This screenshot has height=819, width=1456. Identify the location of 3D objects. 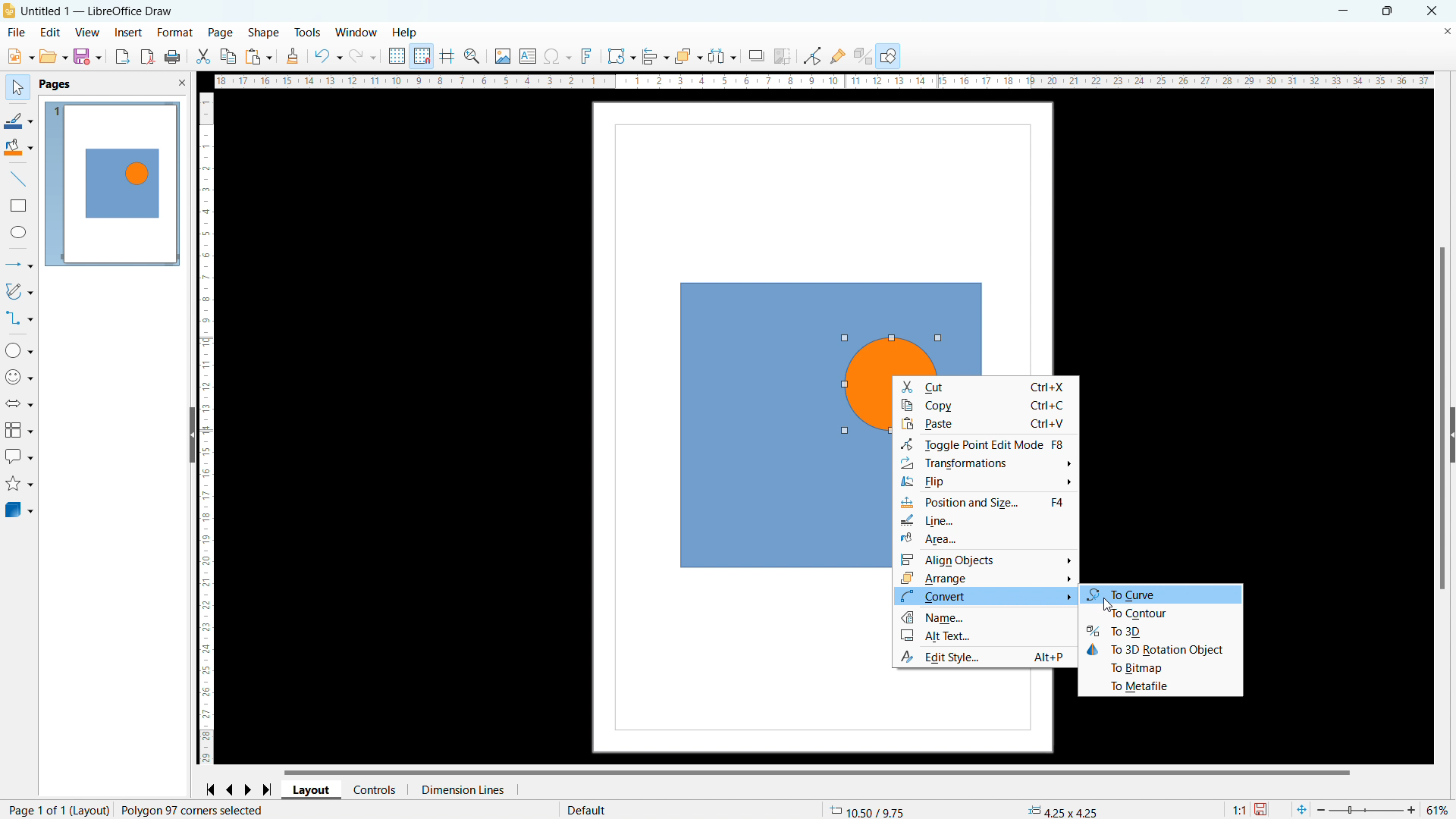
(17, 510).